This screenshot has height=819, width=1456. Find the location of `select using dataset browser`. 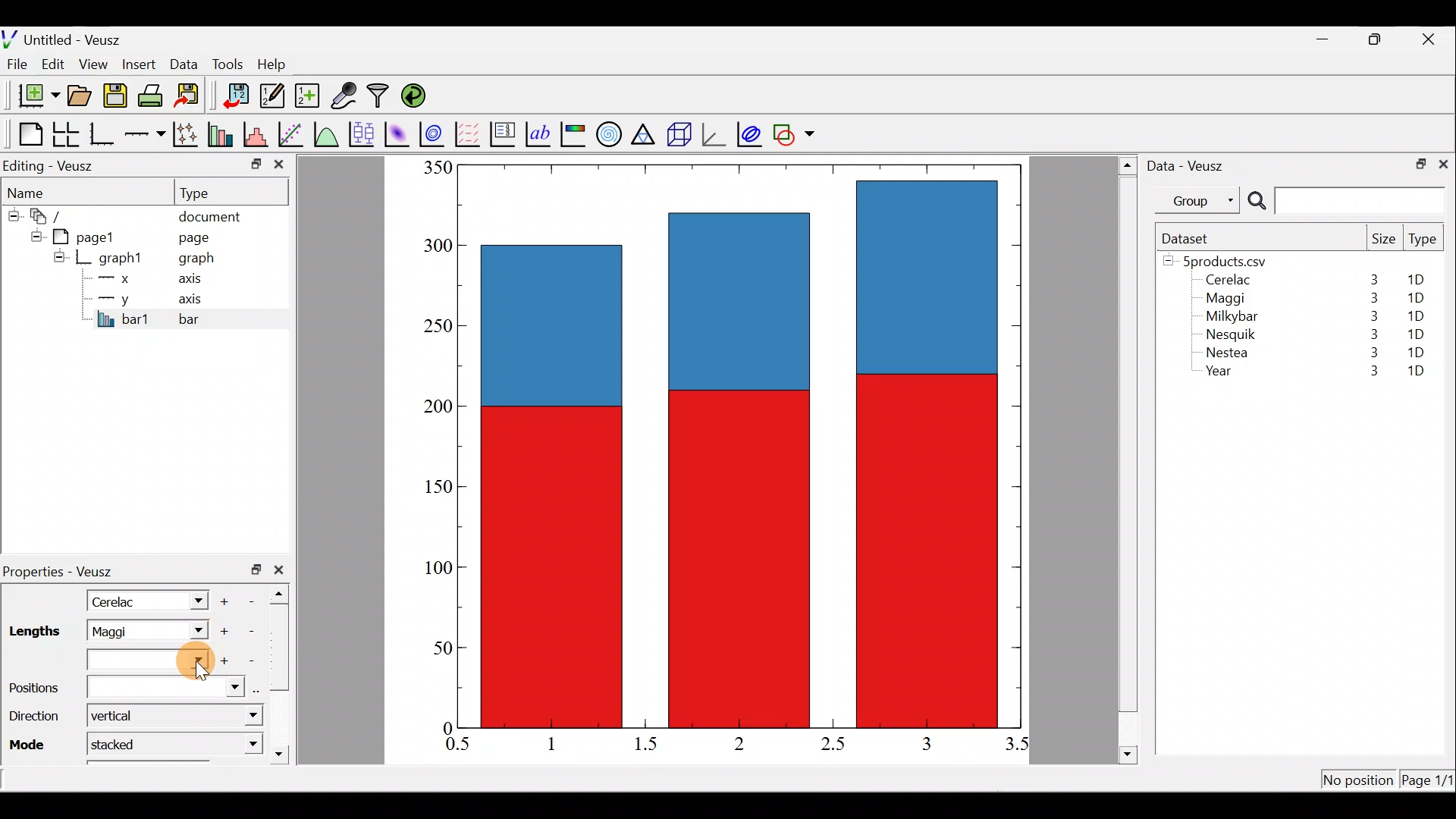

select using dataset browser is located at coordinates (260, 689).